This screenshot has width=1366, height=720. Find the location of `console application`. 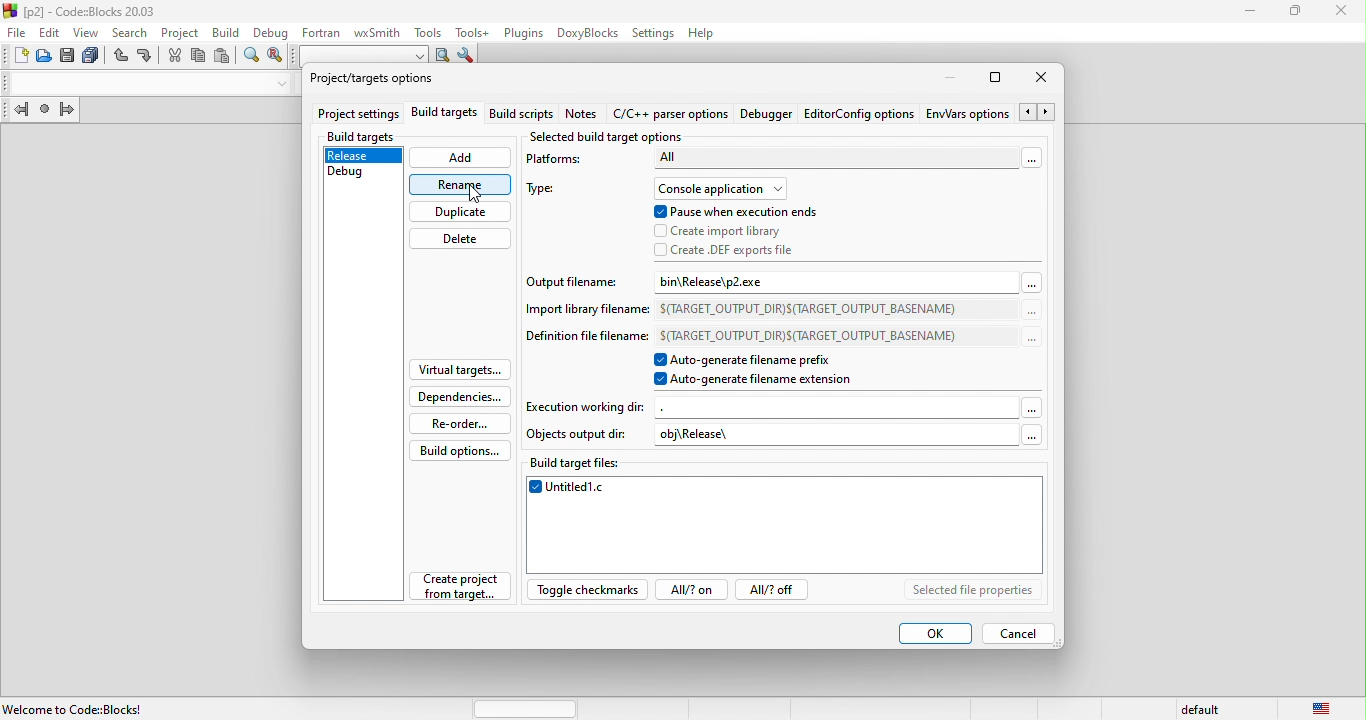

console application is located at coordinates (722, 188).